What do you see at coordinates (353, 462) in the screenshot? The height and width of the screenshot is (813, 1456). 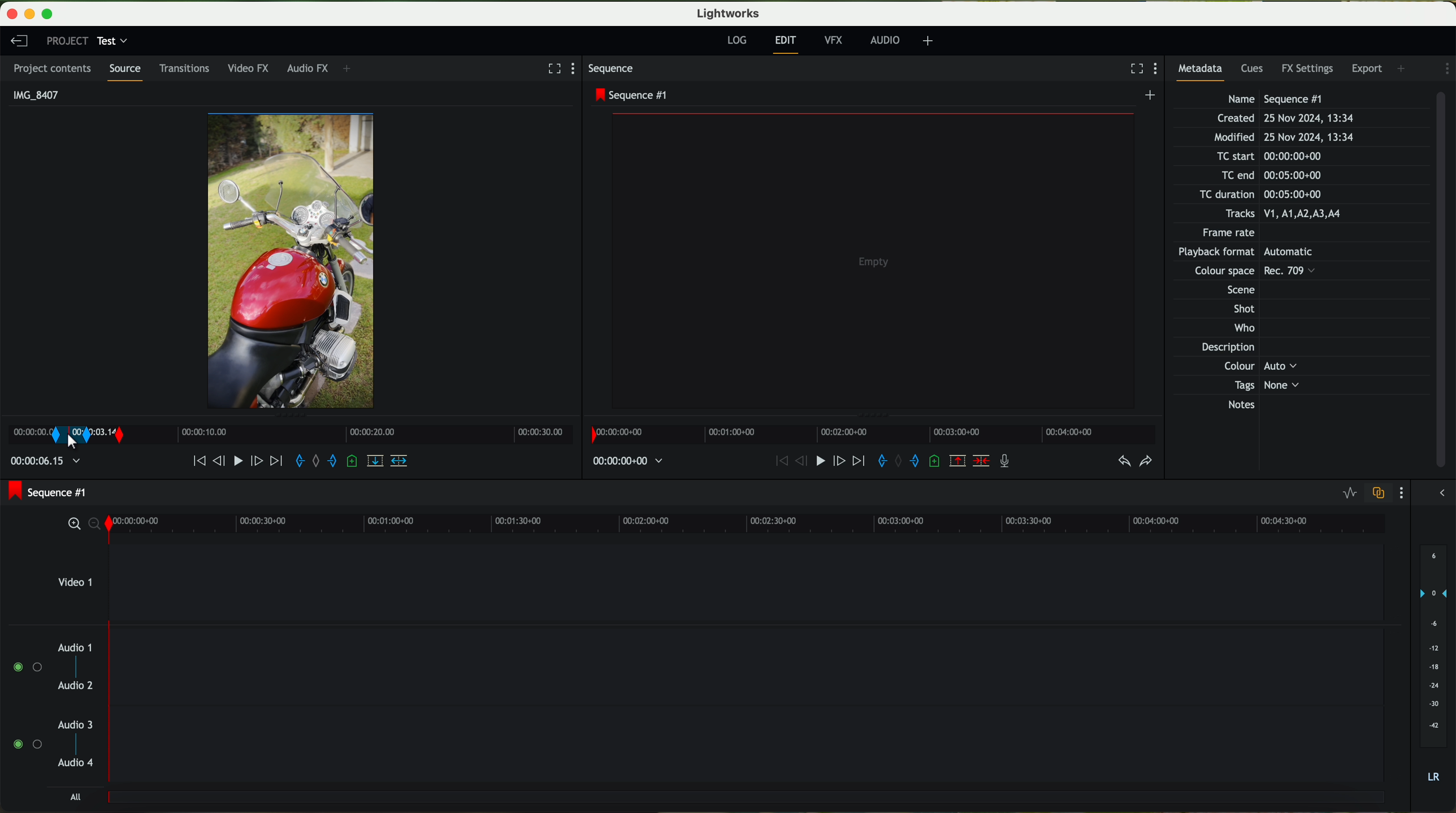 I see `add a cue at the current position` at bounding box center [353, 462].